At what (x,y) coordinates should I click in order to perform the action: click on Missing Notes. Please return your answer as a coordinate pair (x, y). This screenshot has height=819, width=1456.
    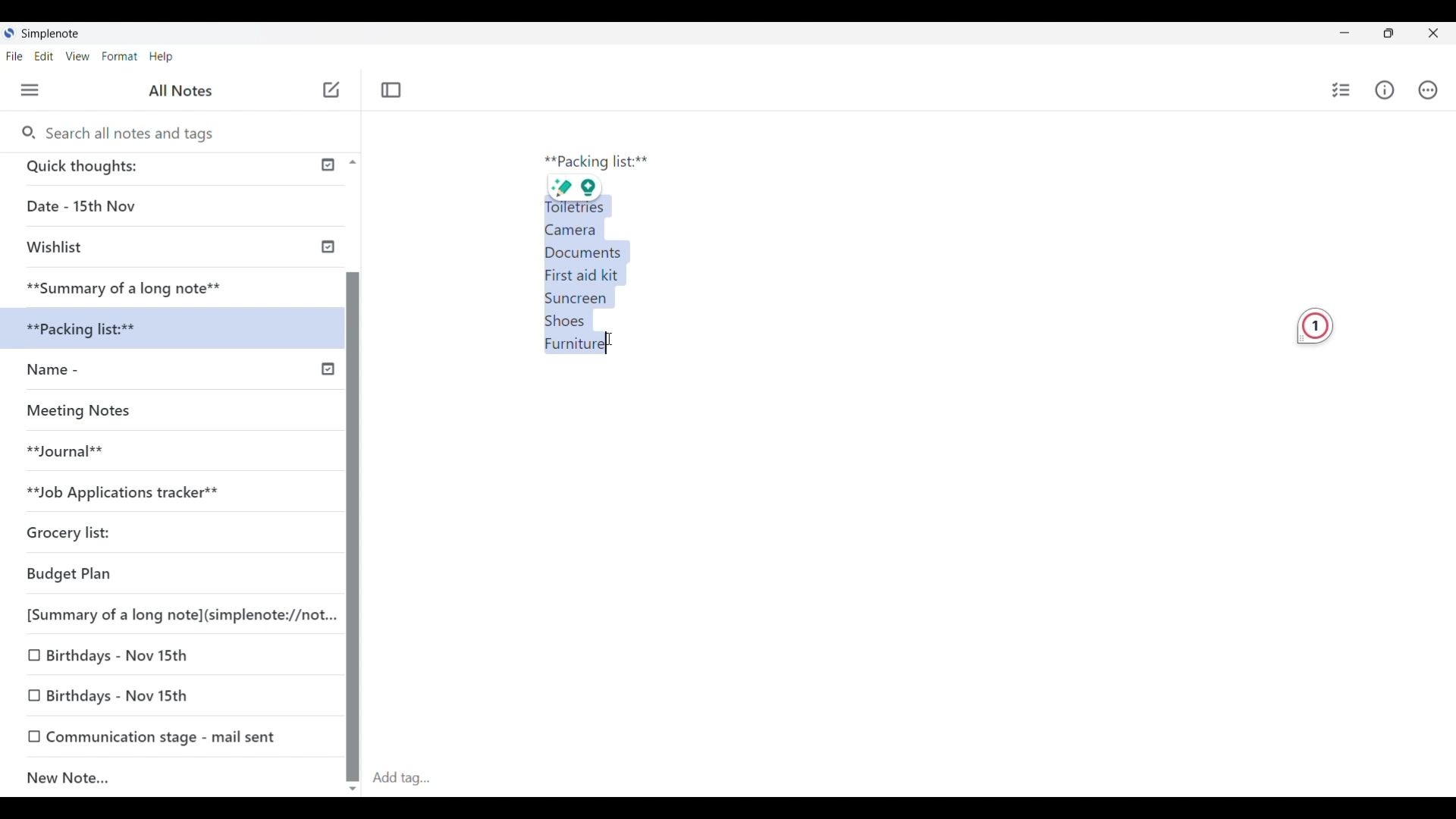
    Looking at the image, I should click on (91, 414).